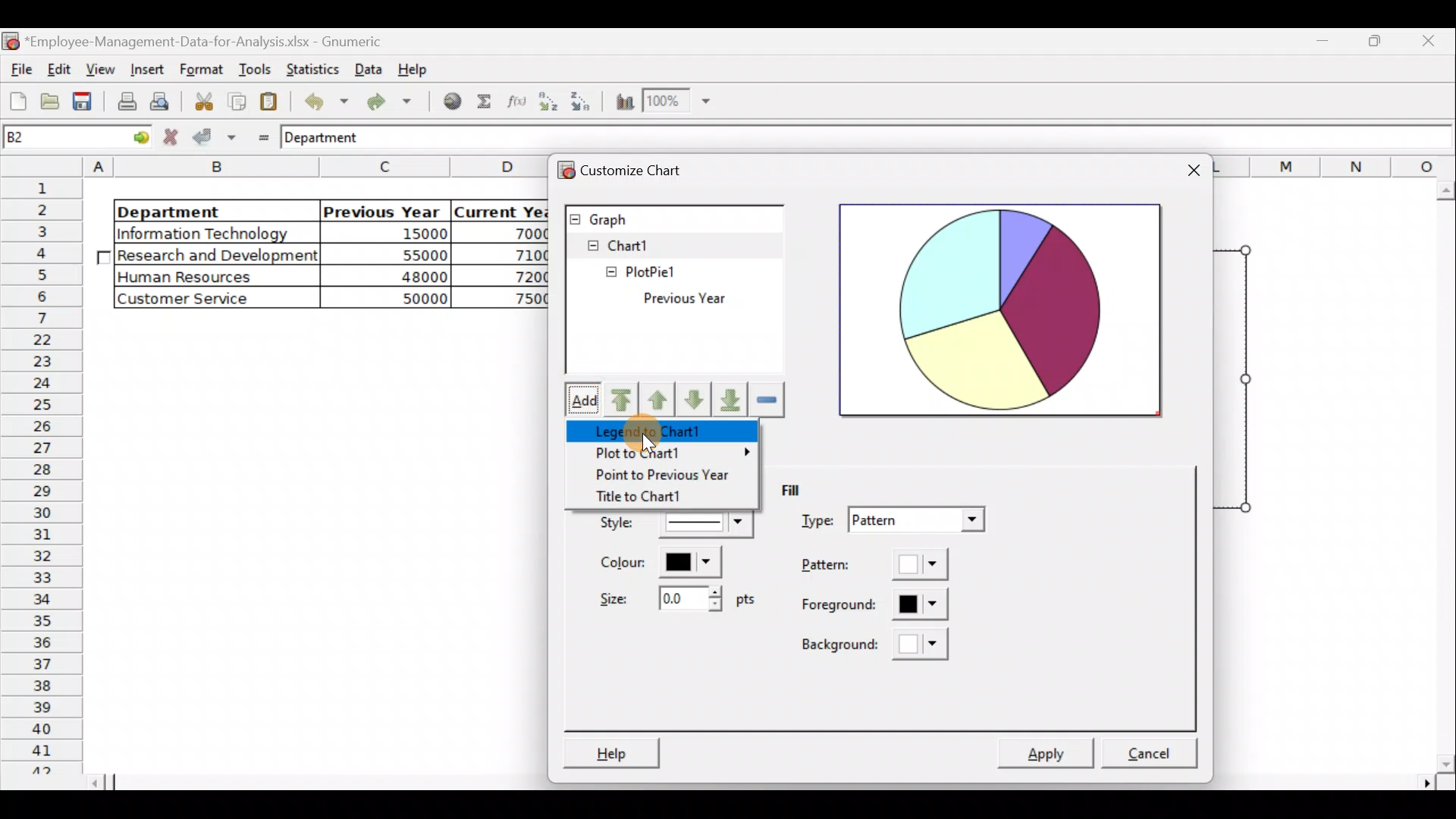  What do you see at coordinates (196, 278) in the screenshot?
I see `Human Resources` at bounding box center [196, 278].